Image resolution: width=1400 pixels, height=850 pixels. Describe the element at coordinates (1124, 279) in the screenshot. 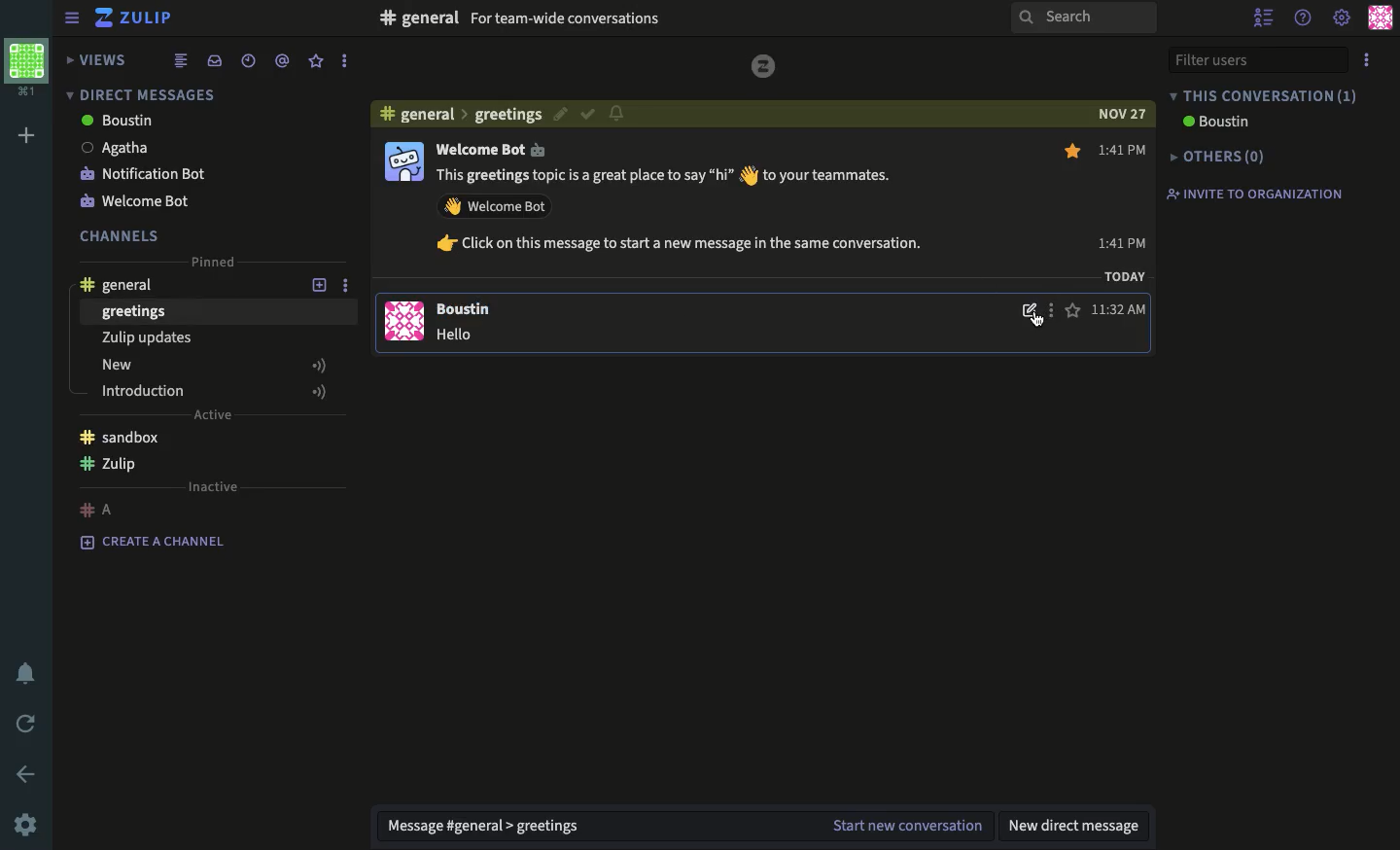

I see `TODAY` at that location.